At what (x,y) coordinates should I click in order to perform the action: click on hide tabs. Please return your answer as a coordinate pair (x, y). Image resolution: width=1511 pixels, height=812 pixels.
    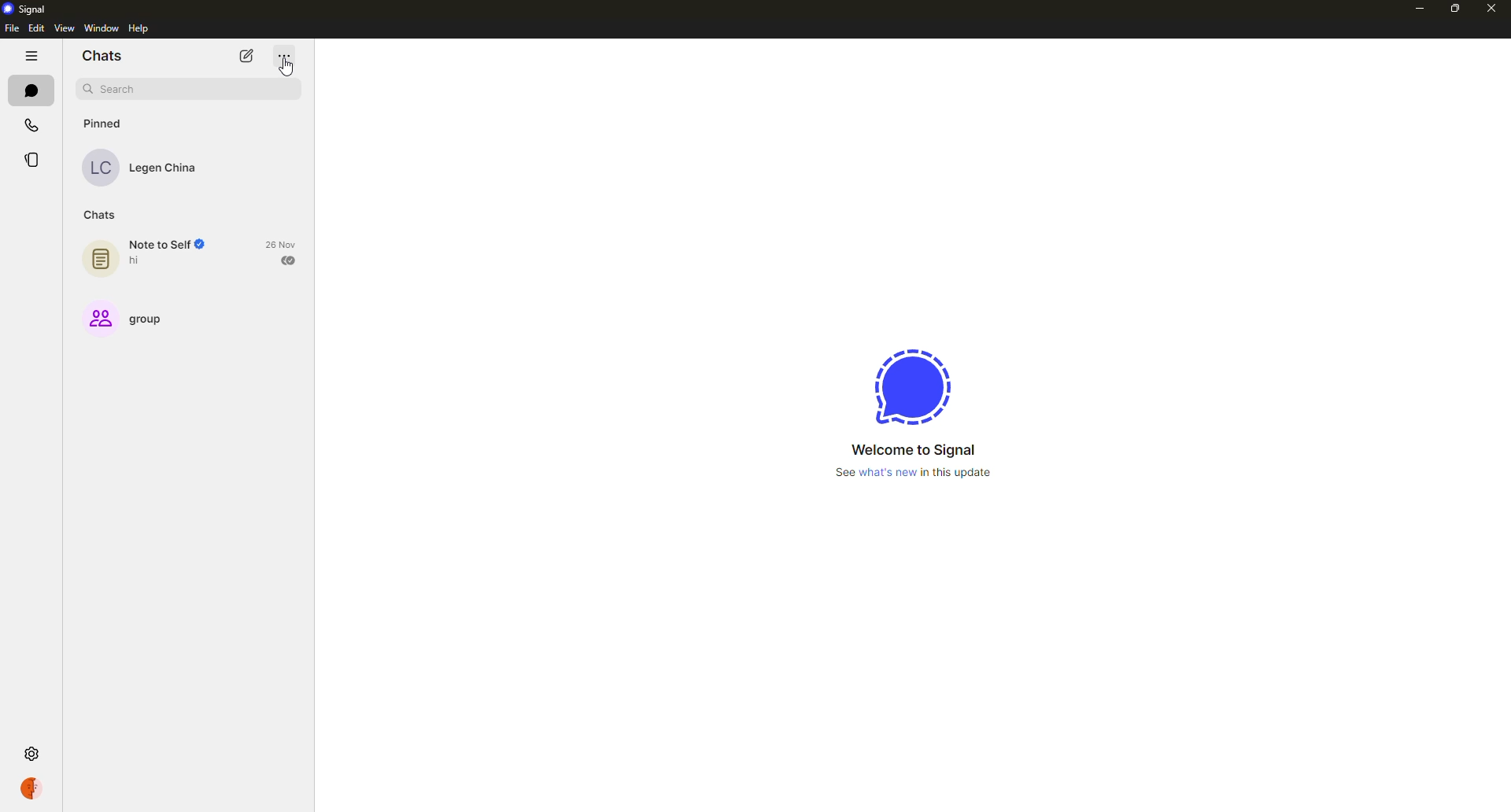
    Looking at the image, I should click on (31, 57).